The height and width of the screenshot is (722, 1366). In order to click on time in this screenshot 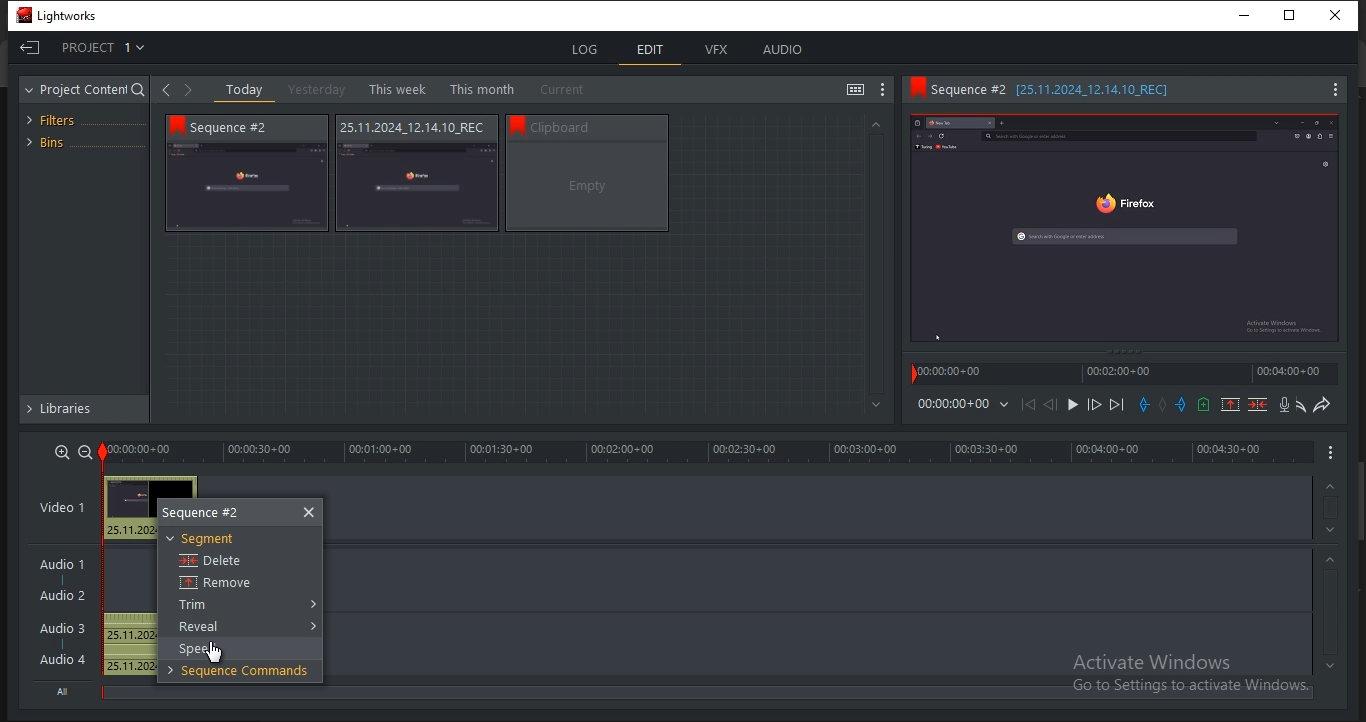, I will do `click(952, 404)`.